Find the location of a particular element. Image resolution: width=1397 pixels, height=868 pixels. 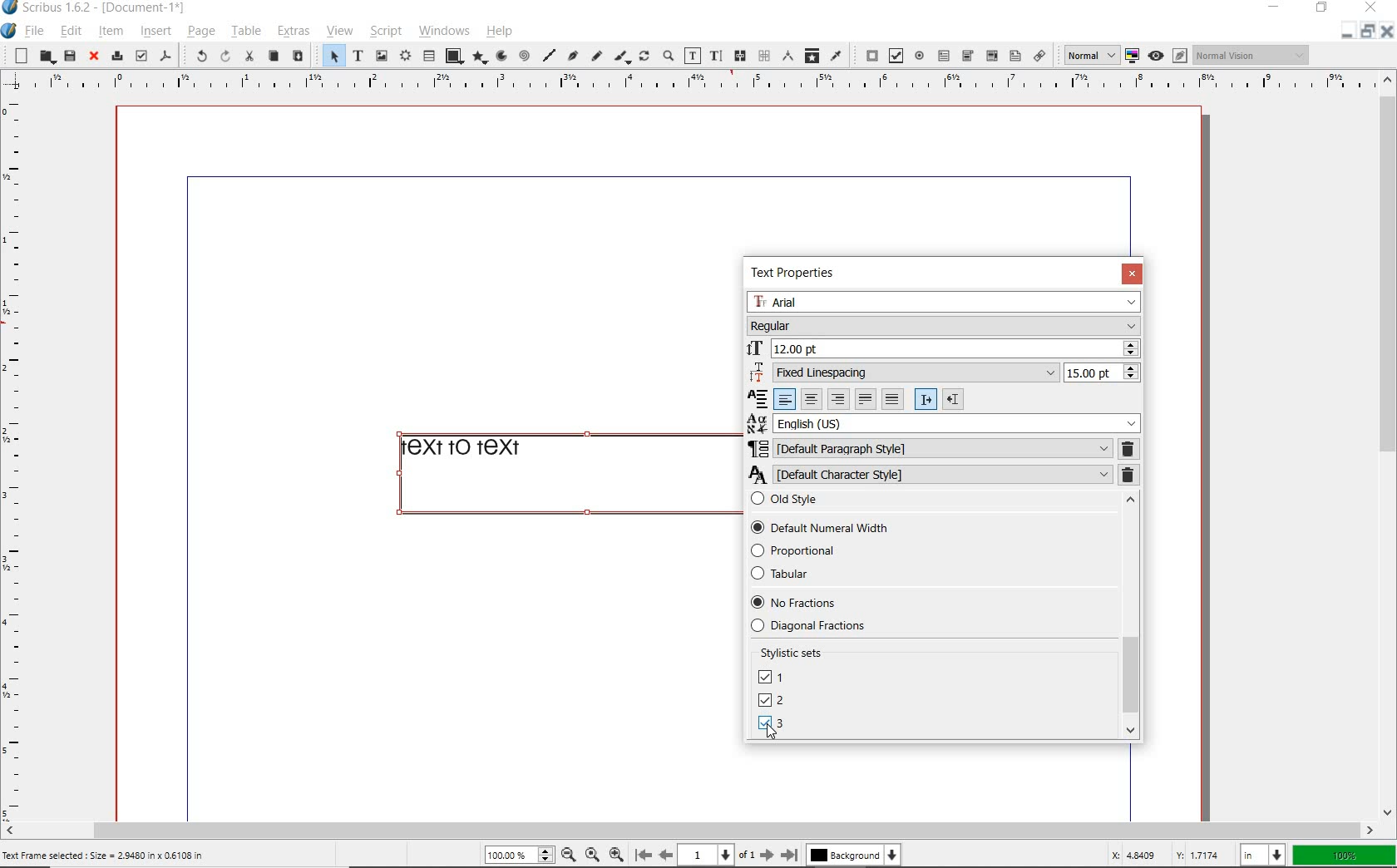

Cursor is located at coordinates (771, 730).